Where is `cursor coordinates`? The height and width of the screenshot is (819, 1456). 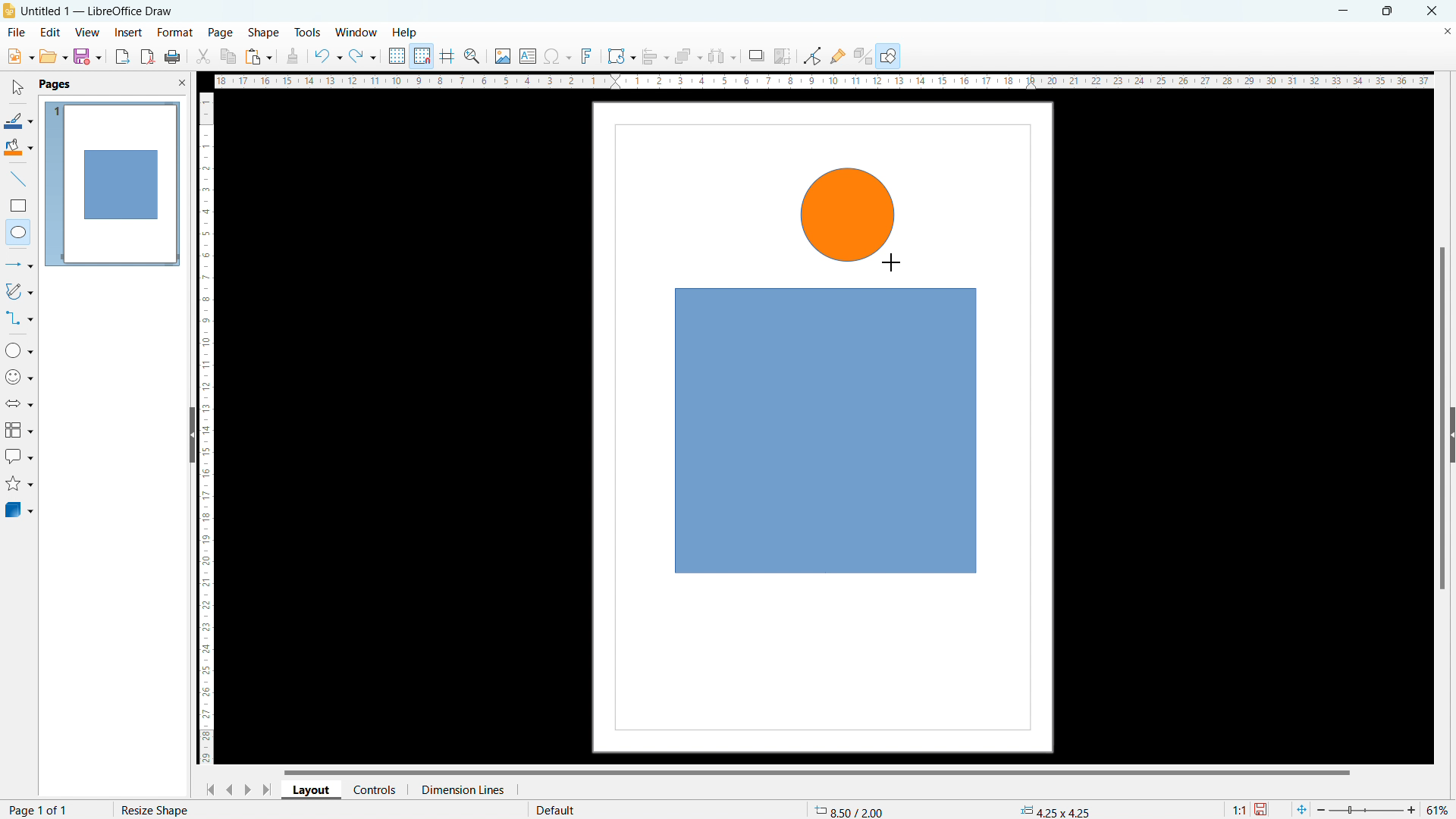 cursor coordinates is located at coordinates (853, 808).